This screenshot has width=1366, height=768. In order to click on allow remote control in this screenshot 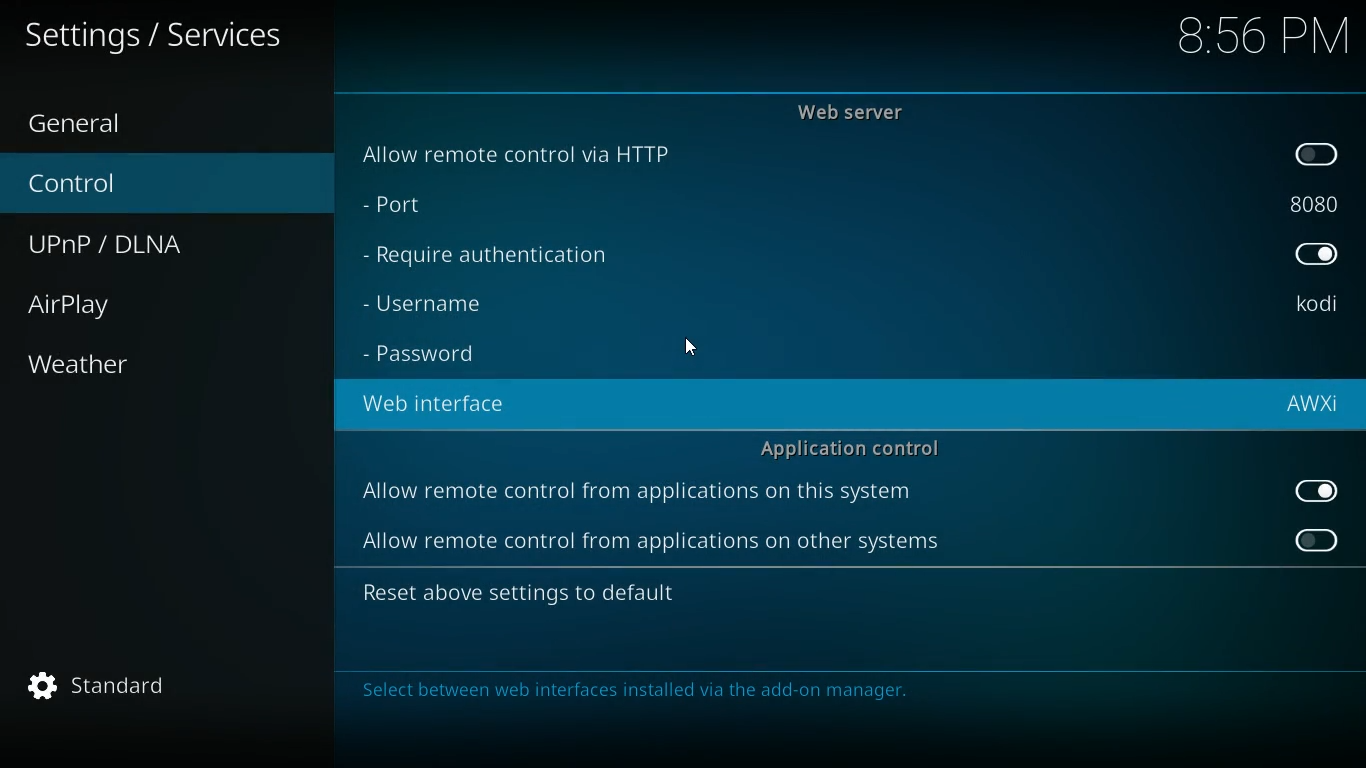, I will do `click(648, 544)`.